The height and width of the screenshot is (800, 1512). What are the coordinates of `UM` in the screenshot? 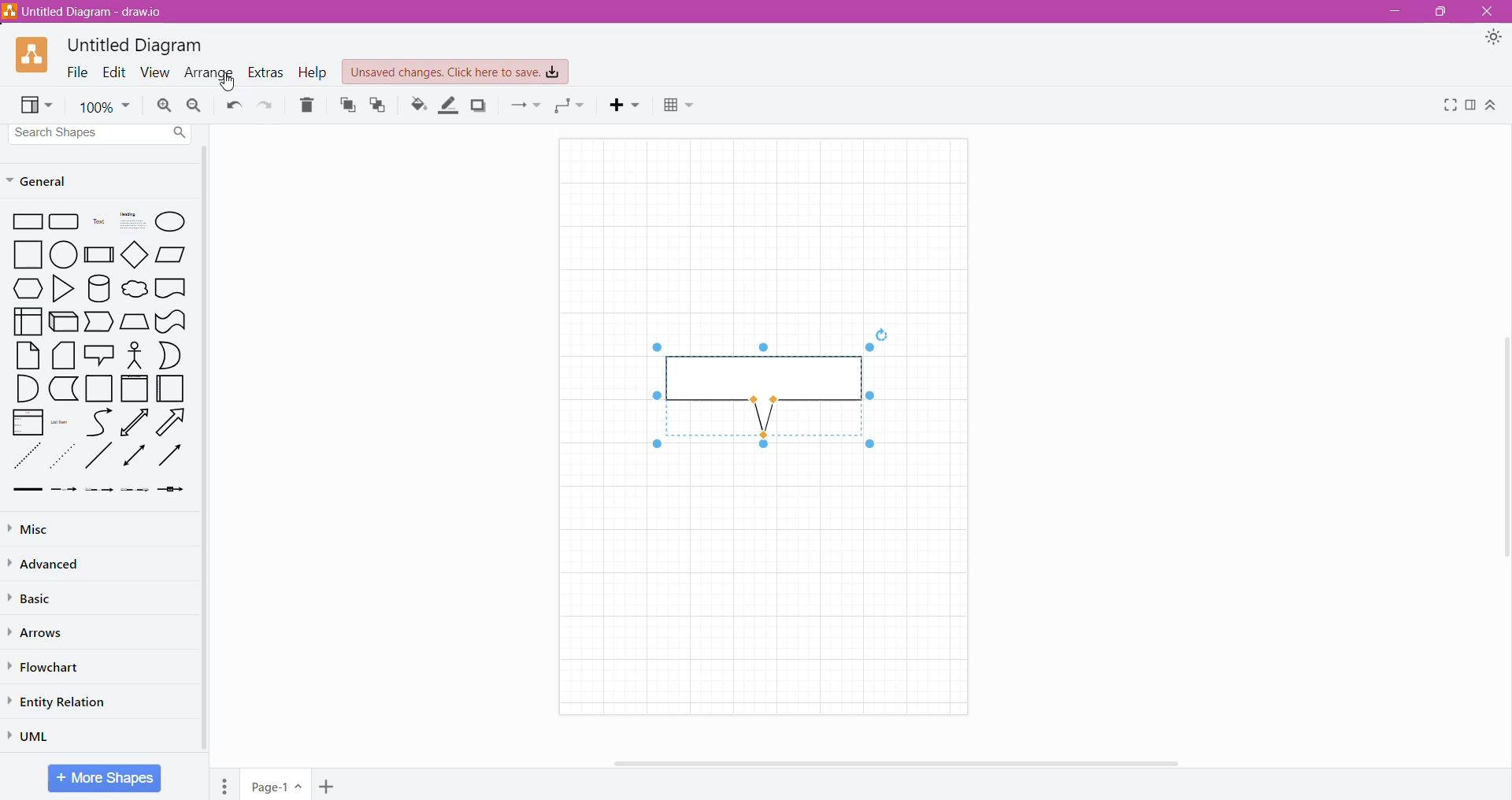 It's located at (34, 735).